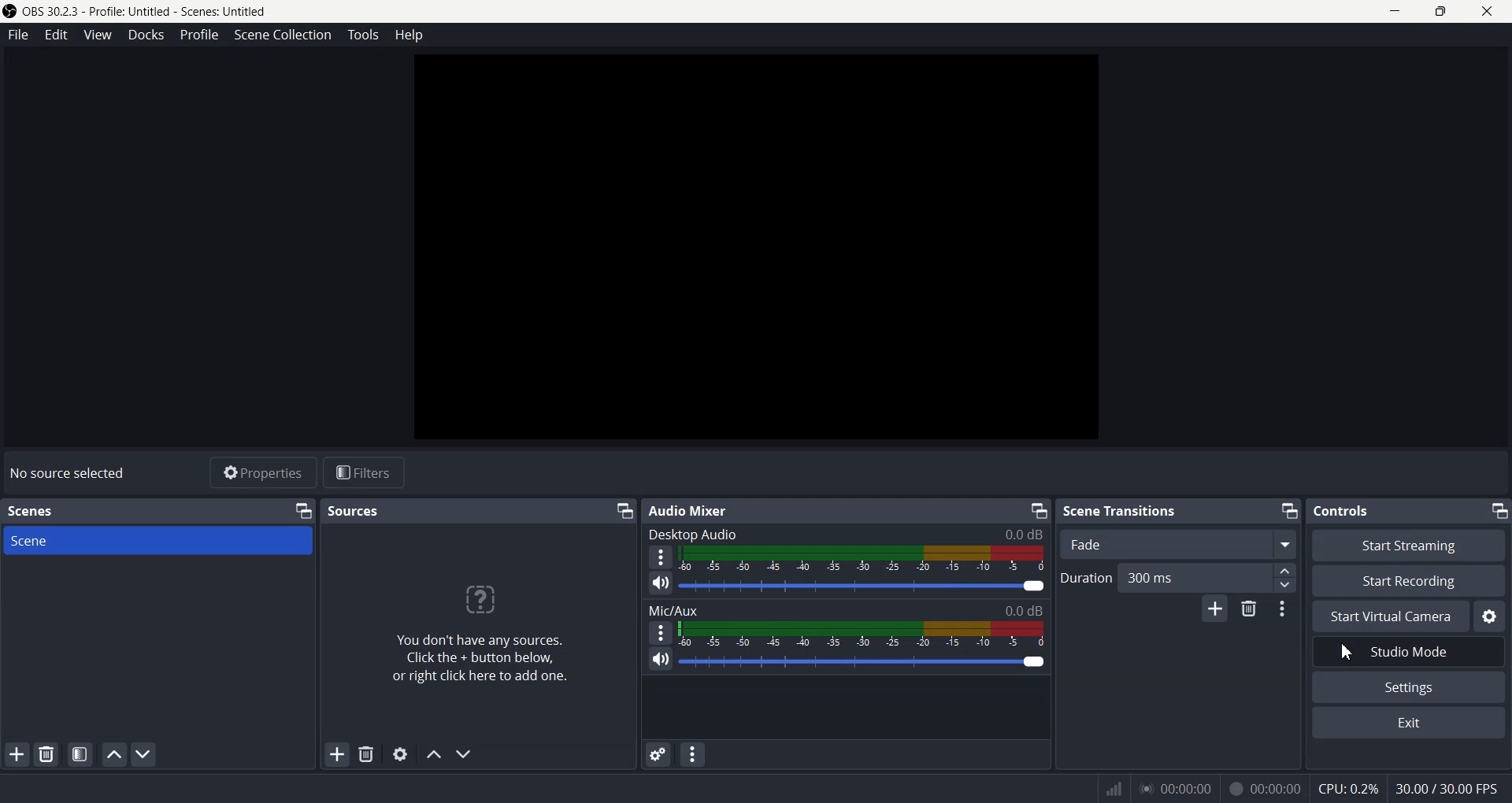 The height and width of the screenshot is (803, 1512). What do you see at coordinates (55, 34) in the screenshot?
I see `Edit` at bounding box center [55, 34].